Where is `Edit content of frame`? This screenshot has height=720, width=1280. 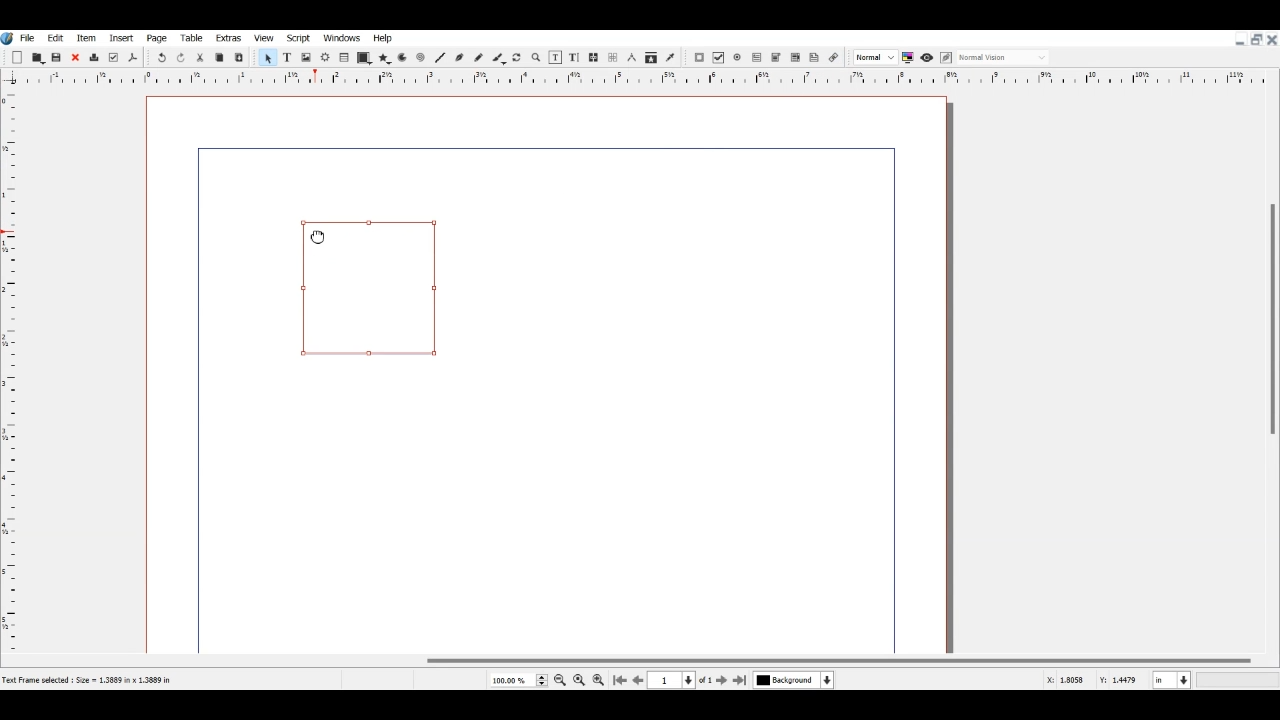 Edit content of frame is located at coordinates (555, 57).